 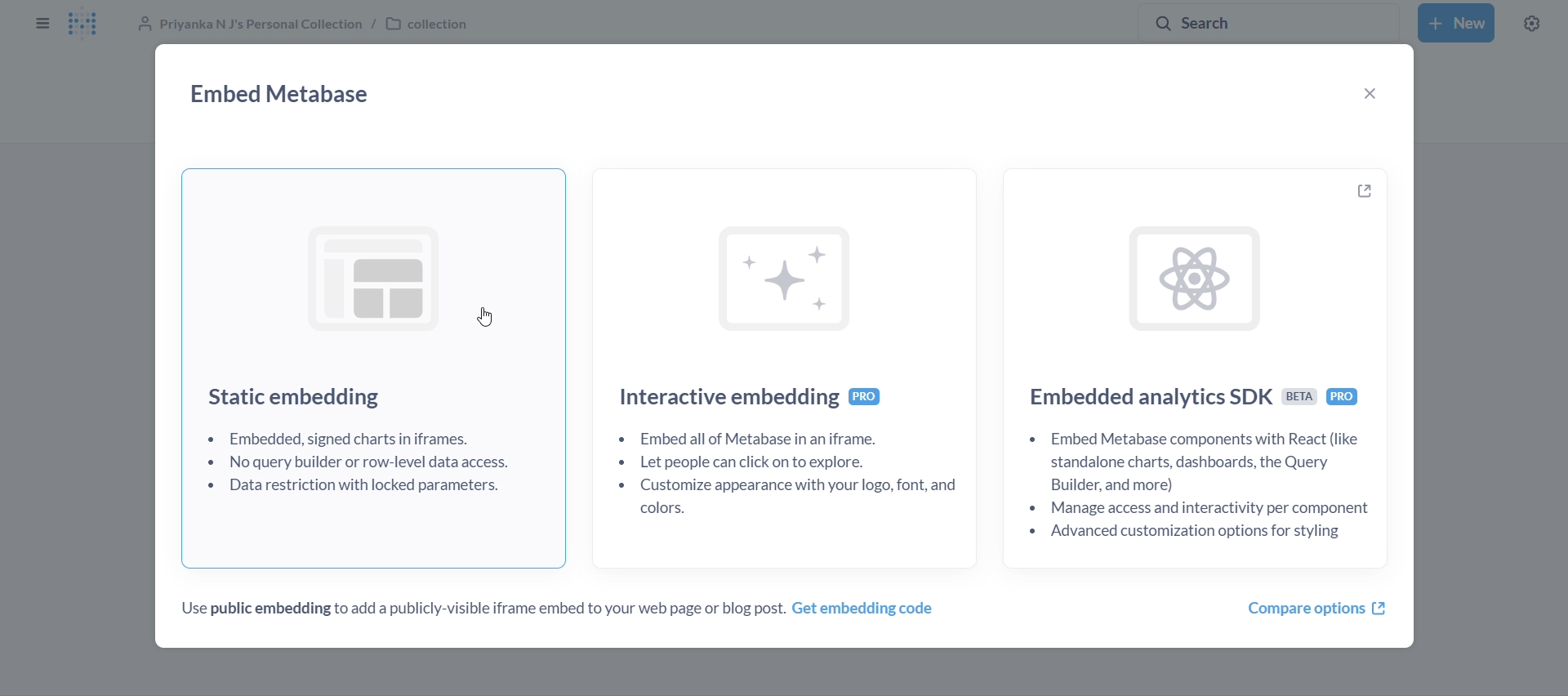 I want to click on close, so click(x=1373, y=95).